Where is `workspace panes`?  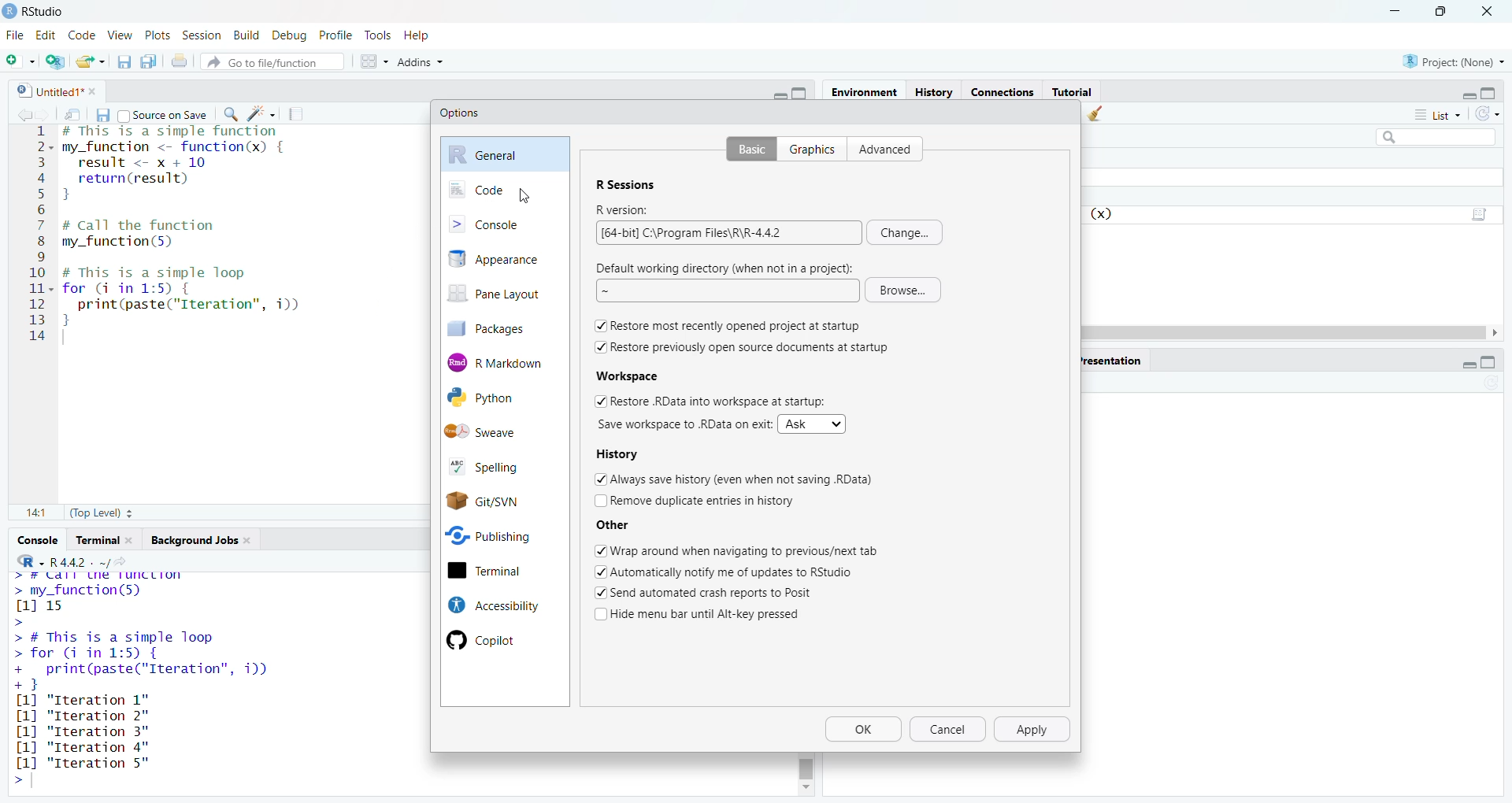 workspace panes is located at coordinates (372, 60).